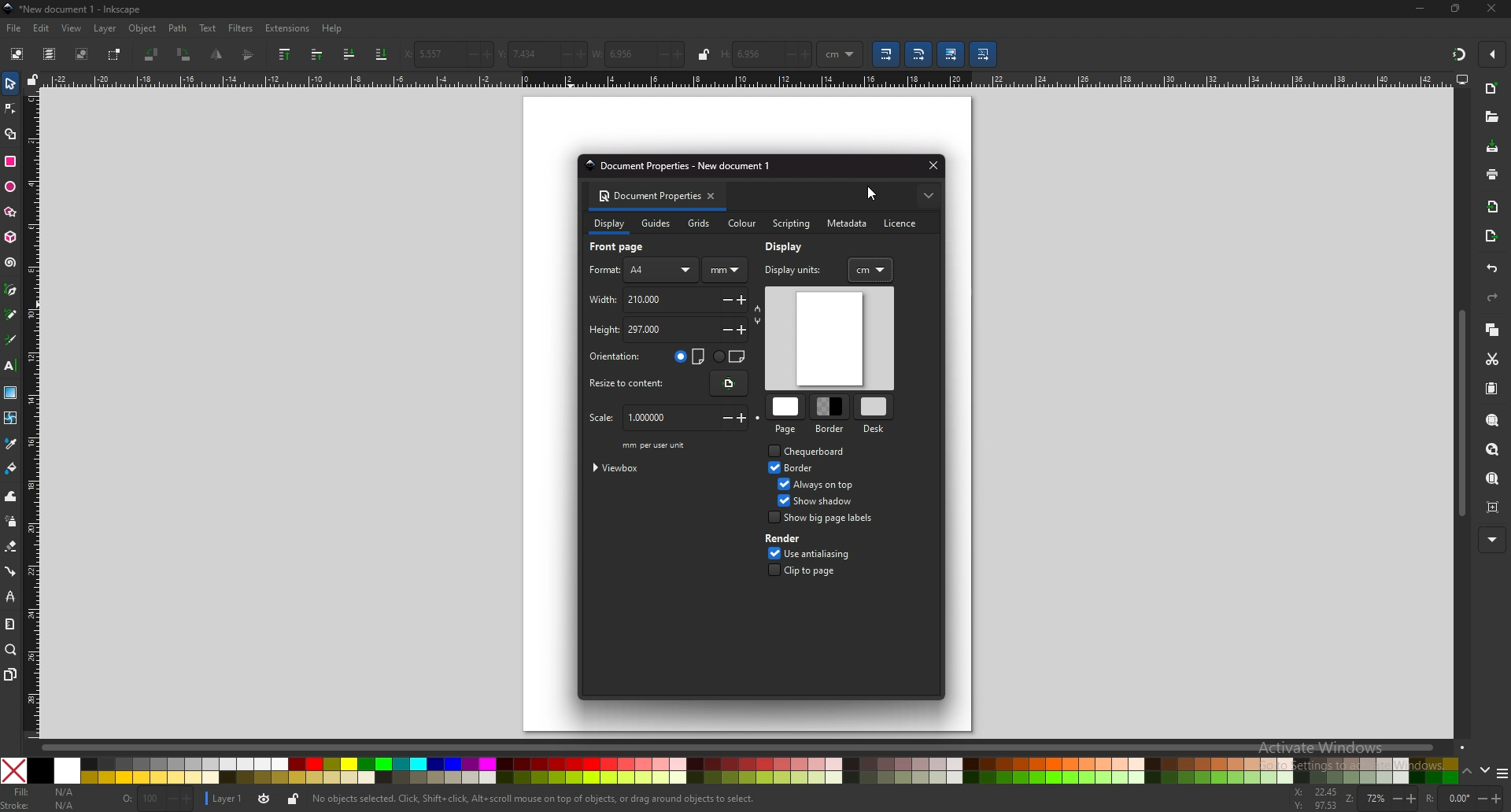  Describe the element at coordinates (1410, 799) in the screenshot. I see `+` at that location.